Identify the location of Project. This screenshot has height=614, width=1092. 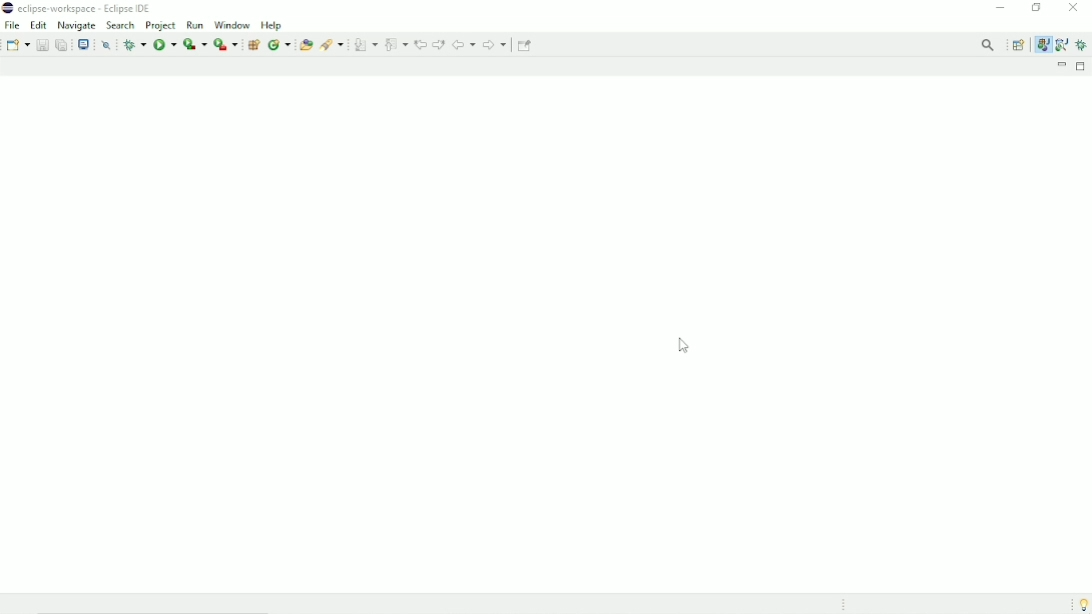
(161, 26).